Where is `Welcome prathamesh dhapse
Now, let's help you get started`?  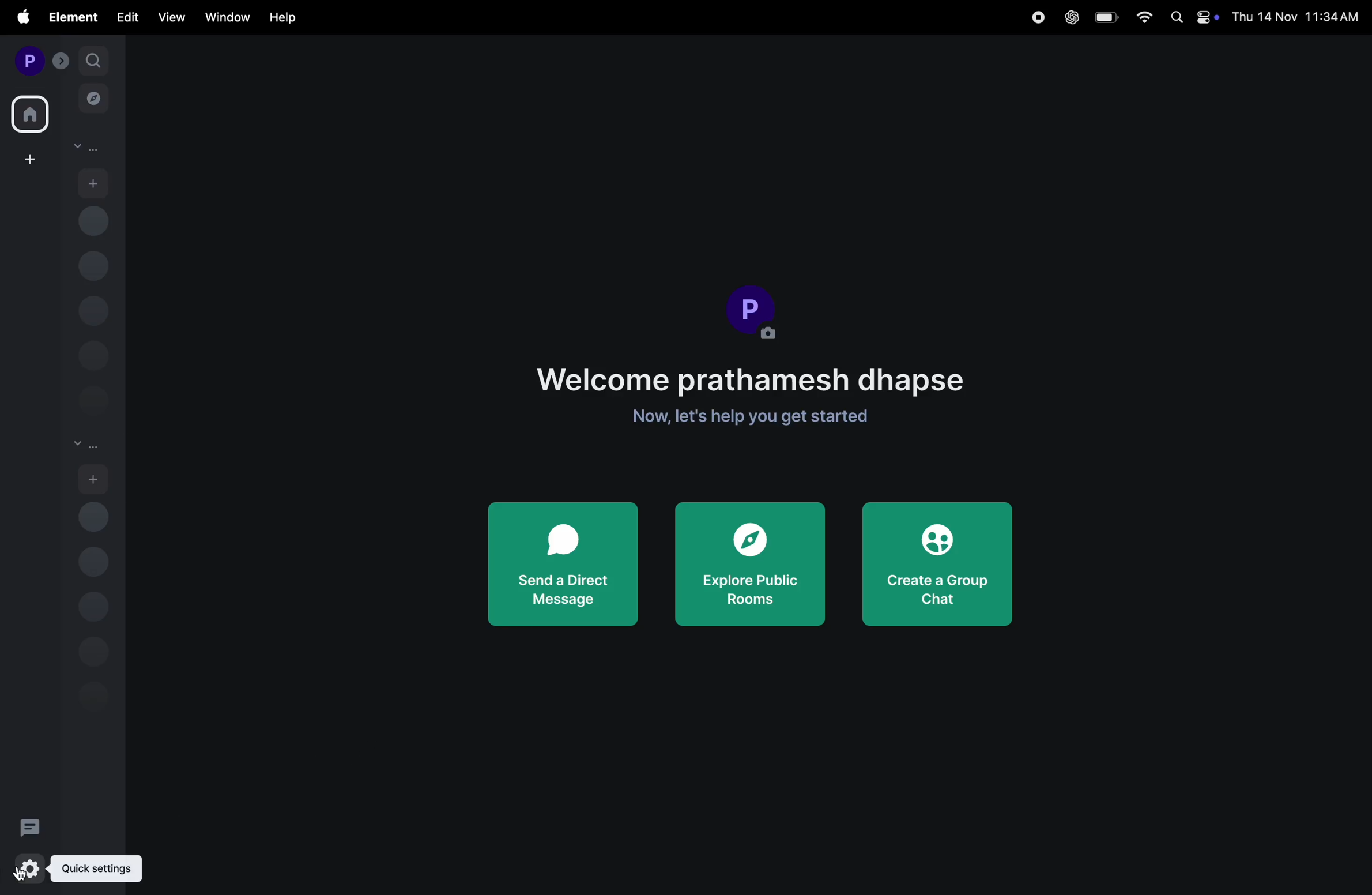
Welcome prathamesh dhapse
Now, let's help you get started is located at coordinates (753, 394).